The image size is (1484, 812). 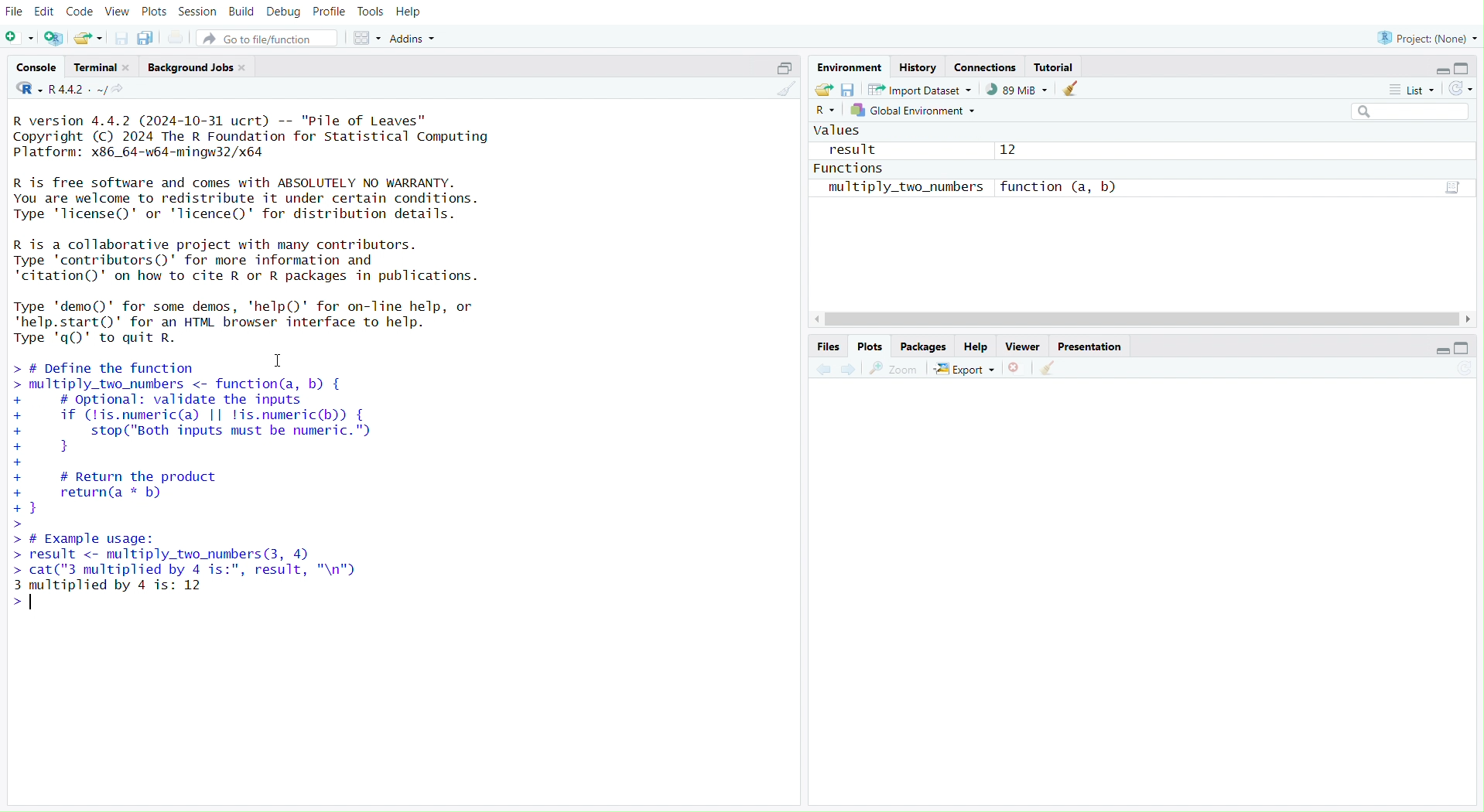 What do you see at coordinates (923, 347) in the screenshot?
I see `Packages` at bounding box center [923, 347].